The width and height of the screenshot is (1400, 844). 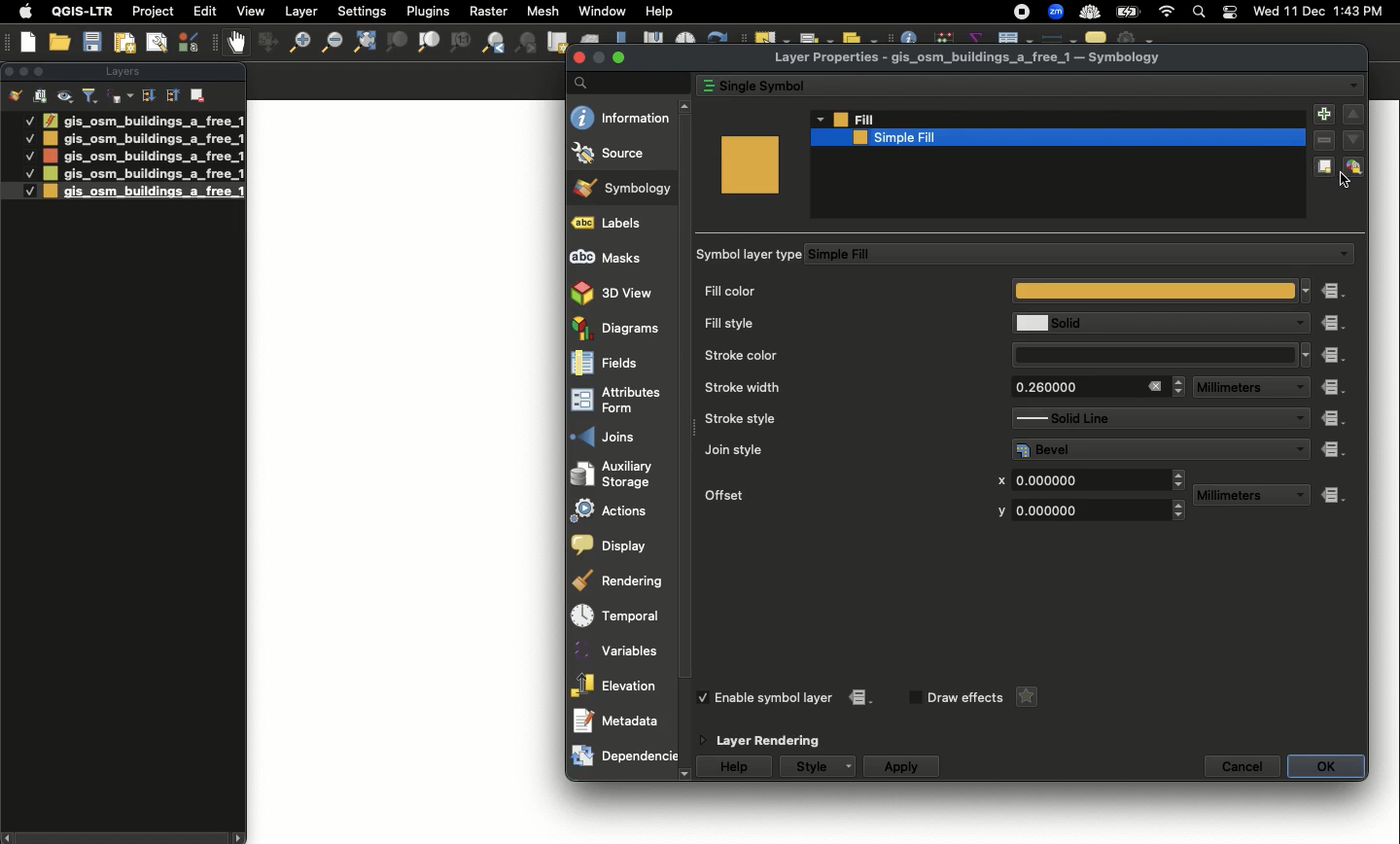 What do you see at coordinates (62, 43) in the screenshot?
I see `Open` at bounding box center [62, 43].